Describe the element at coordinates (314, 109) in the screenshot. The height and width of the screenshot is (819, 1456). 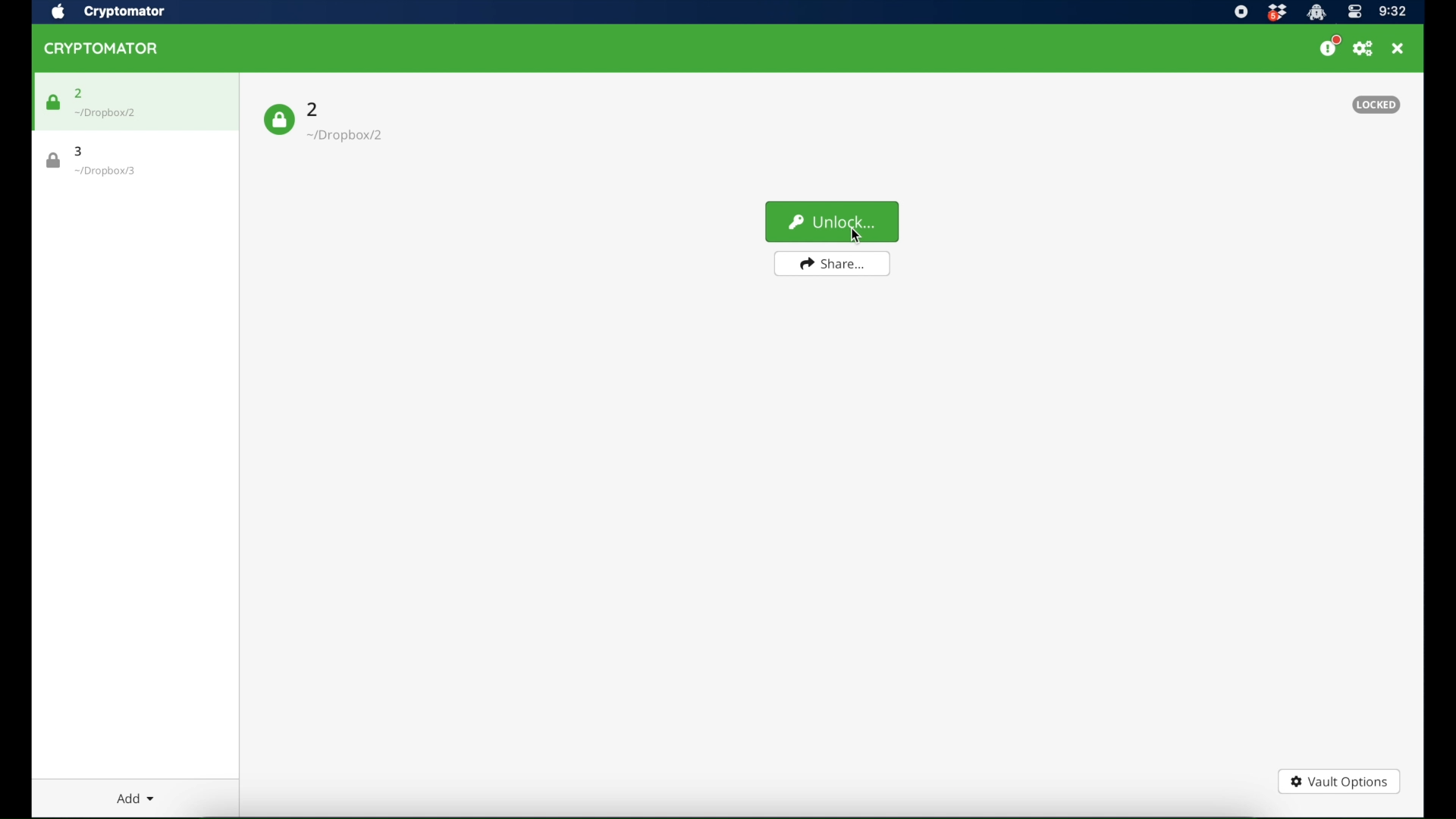
I see `2` at that location.